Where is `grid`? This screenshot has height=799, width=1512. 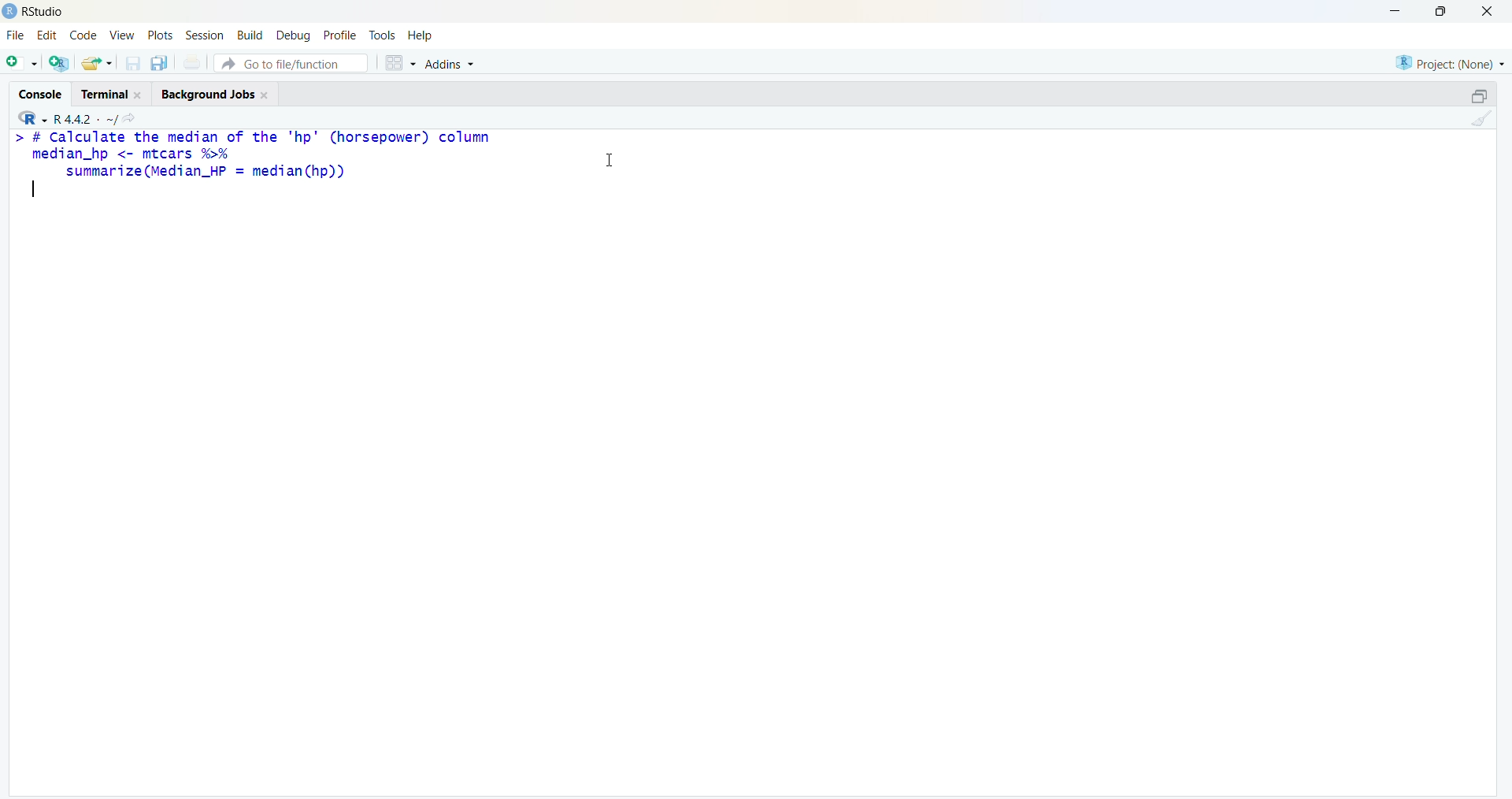
grid is located at coordinates (401, 62).